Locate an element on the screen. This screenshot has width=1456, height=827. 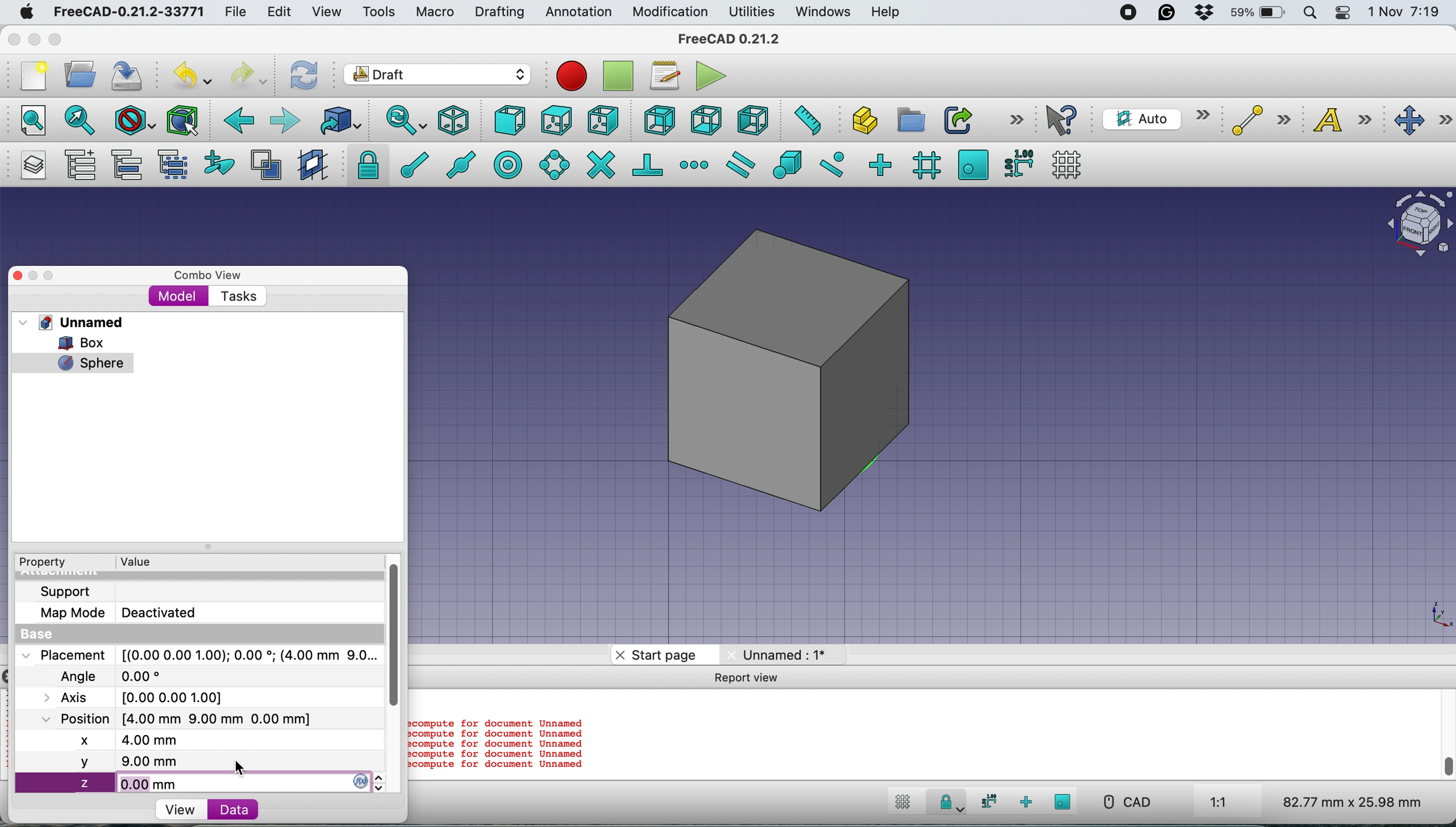
modification is located at coordinates (669, 12).